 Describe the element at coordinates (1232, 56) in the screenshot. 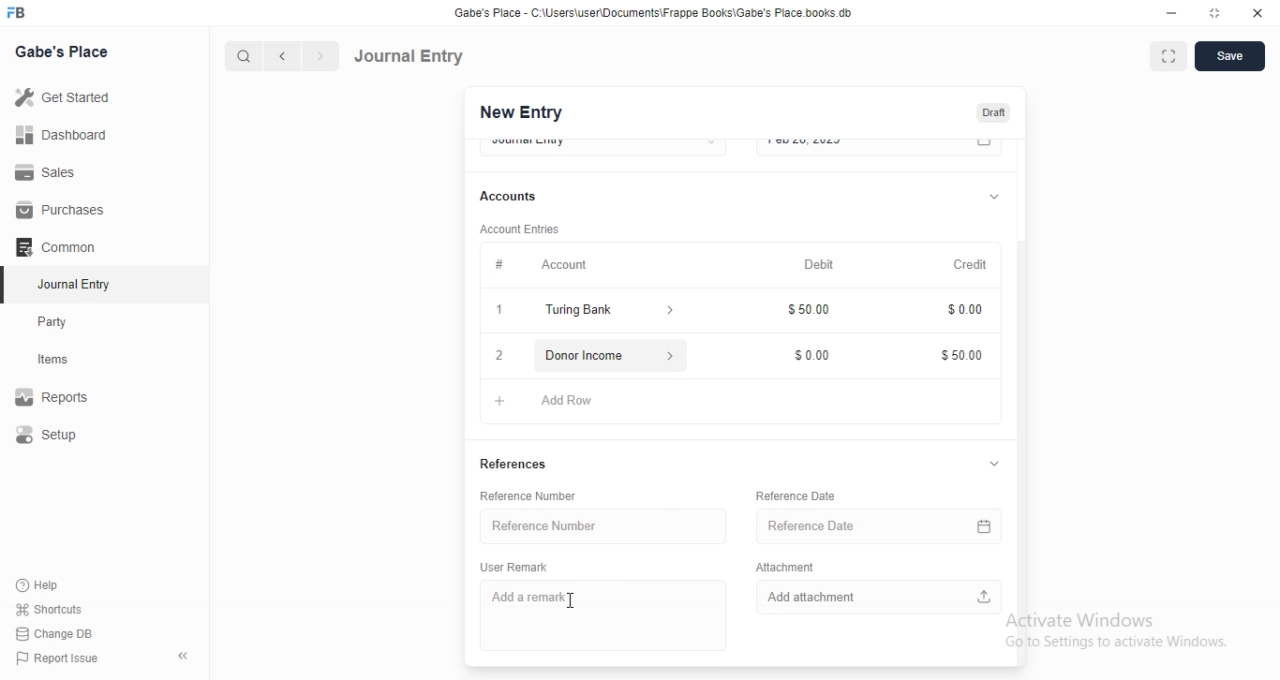

I see `save` at that location.